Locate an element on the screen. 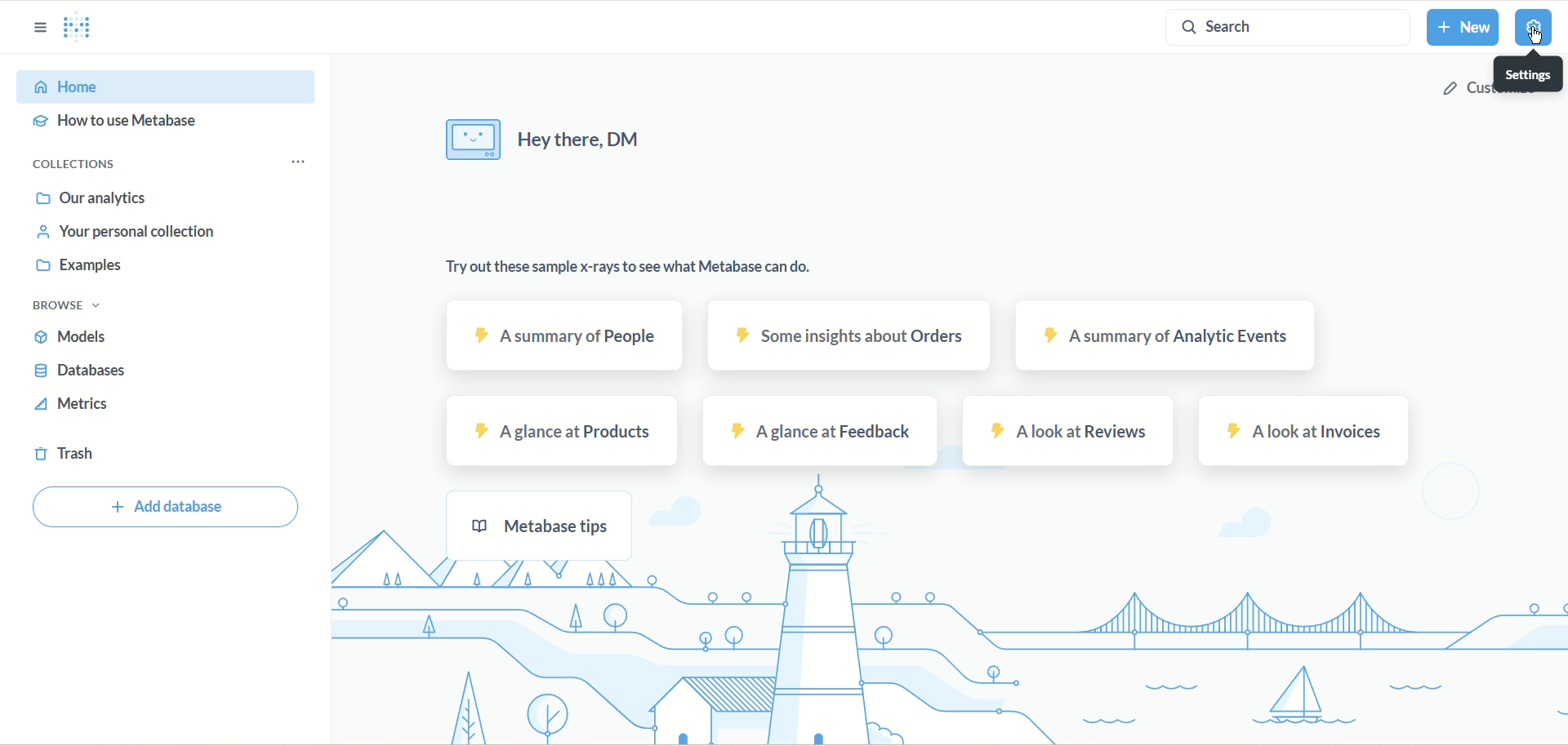 Image resolution: width=1568 pixels, height=746 pixels. How to user metabase is located at coordinates (131, 123).